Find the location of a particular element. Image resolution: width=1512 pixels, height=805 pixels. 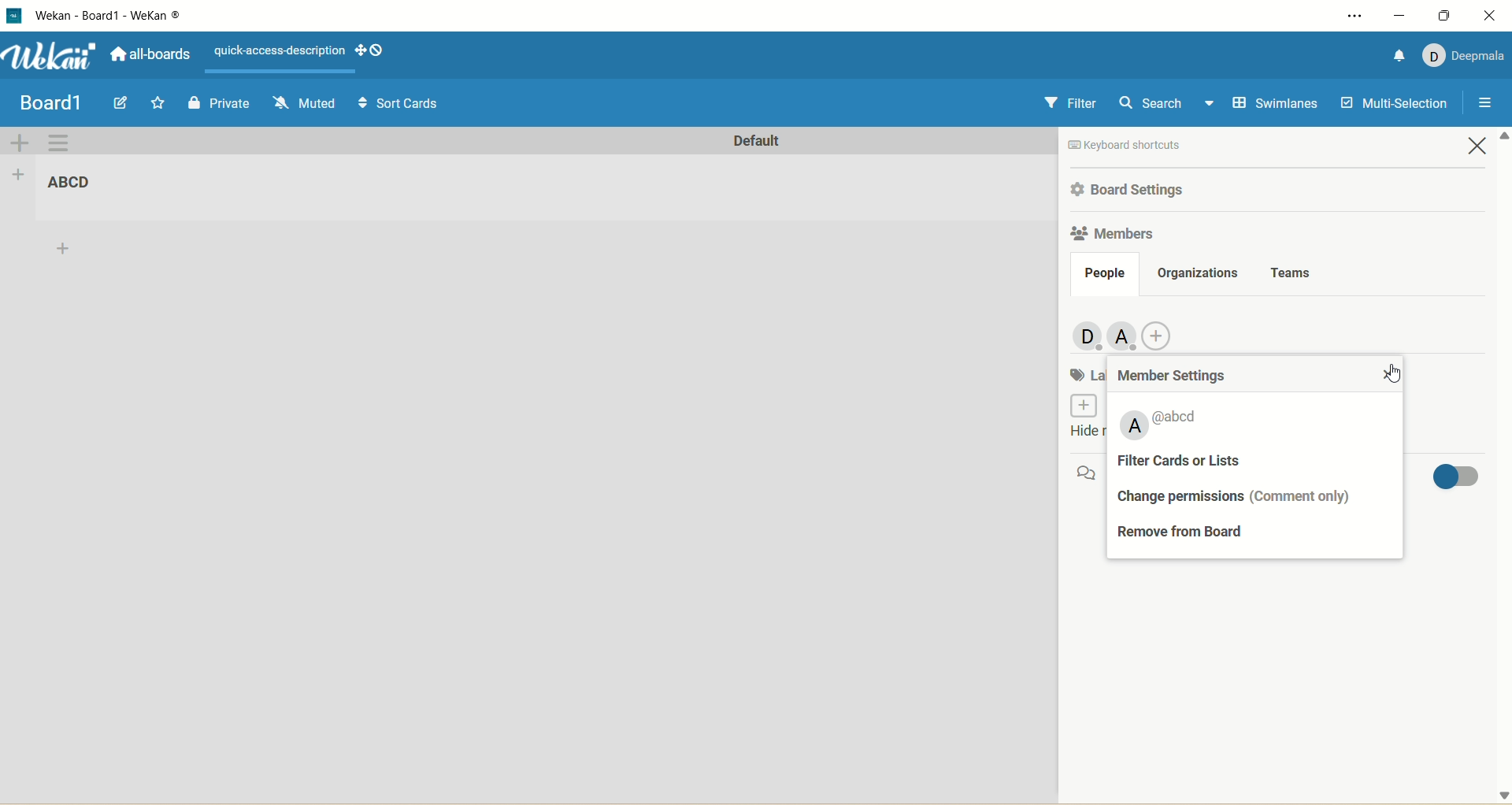

text is located at coordinates (276, 49).